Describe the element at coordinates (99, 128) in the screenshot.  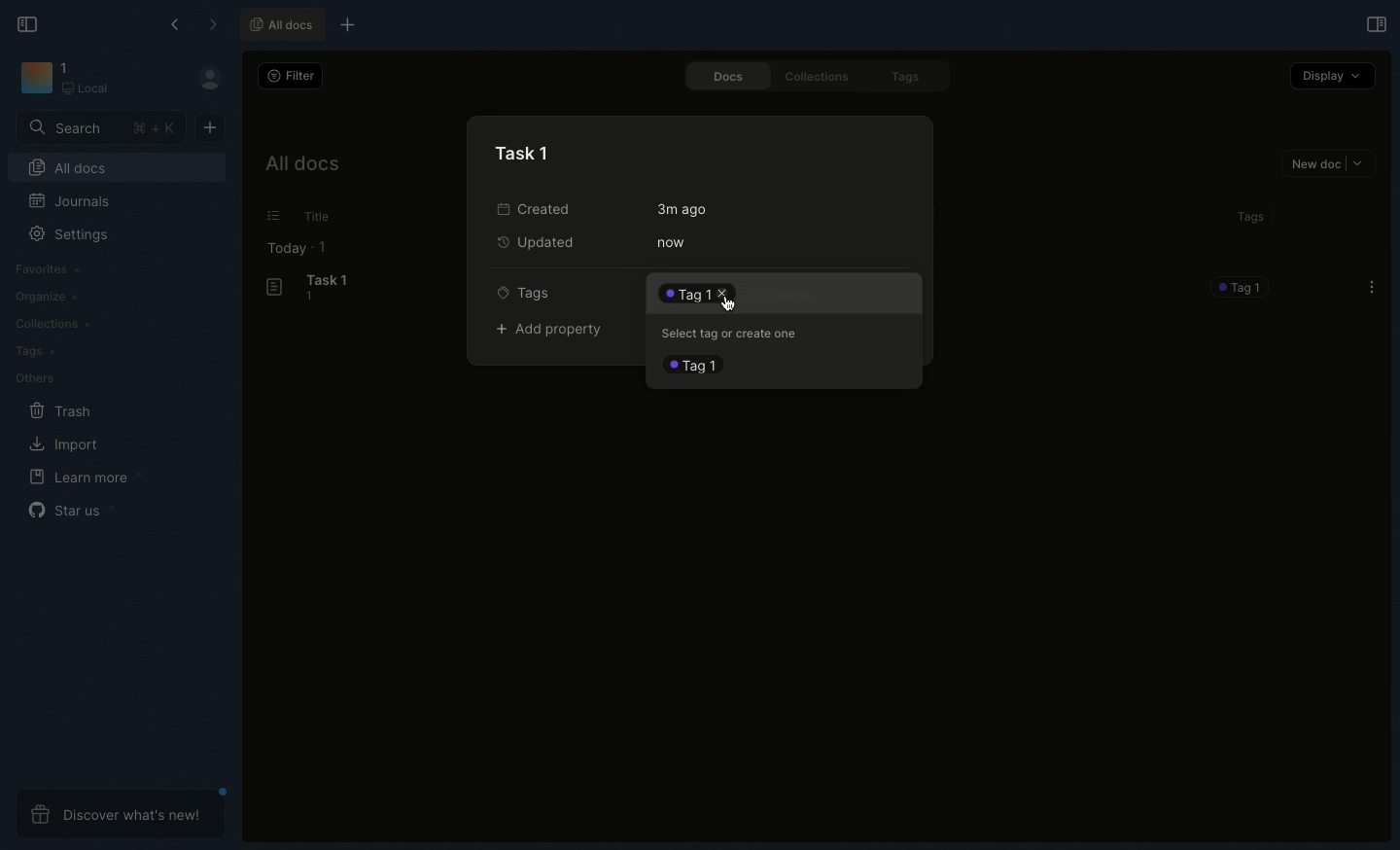
I see `Search + K` at that location.